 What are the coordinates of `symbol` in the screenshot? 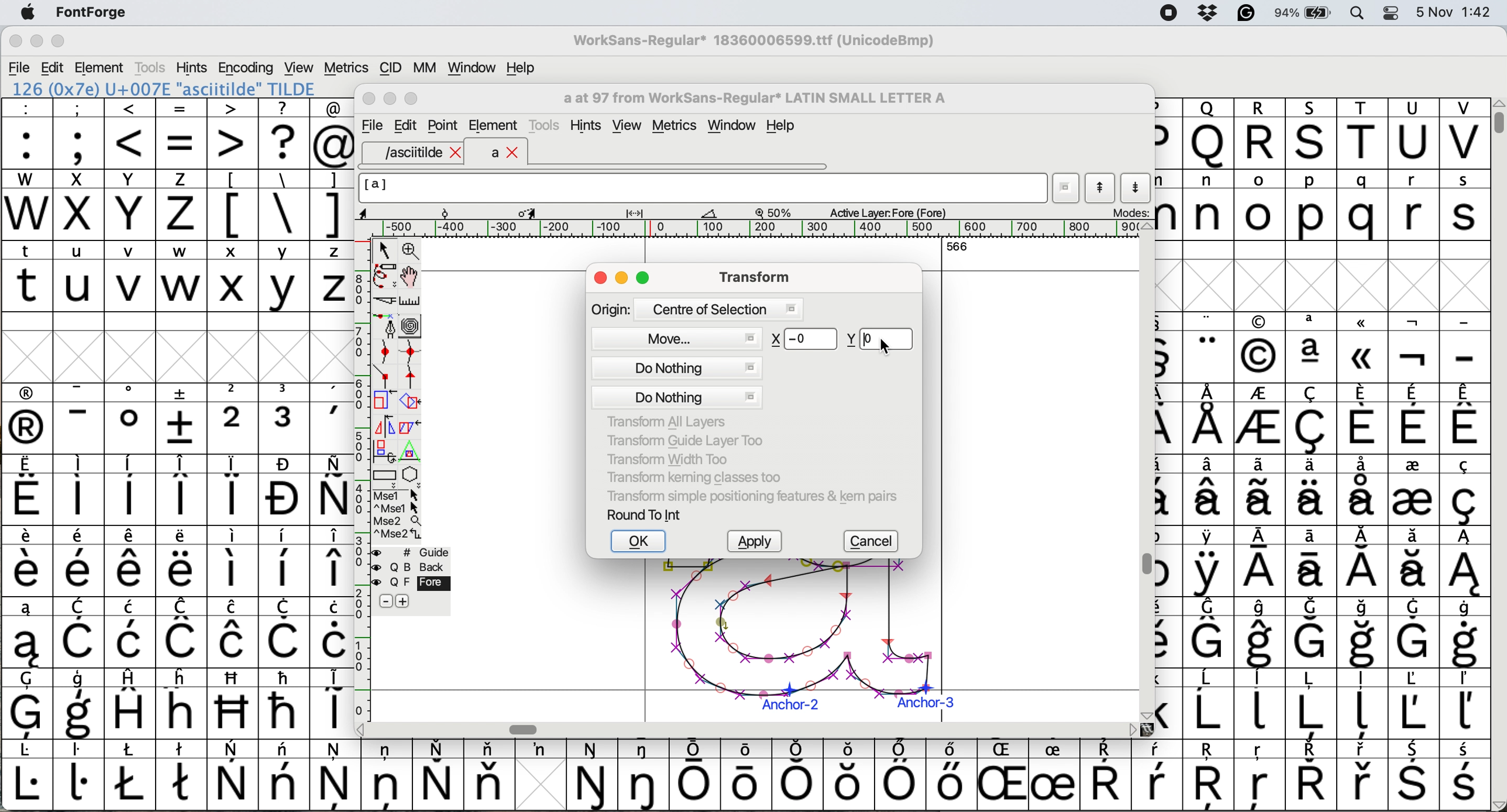 It's located at (27, 776).